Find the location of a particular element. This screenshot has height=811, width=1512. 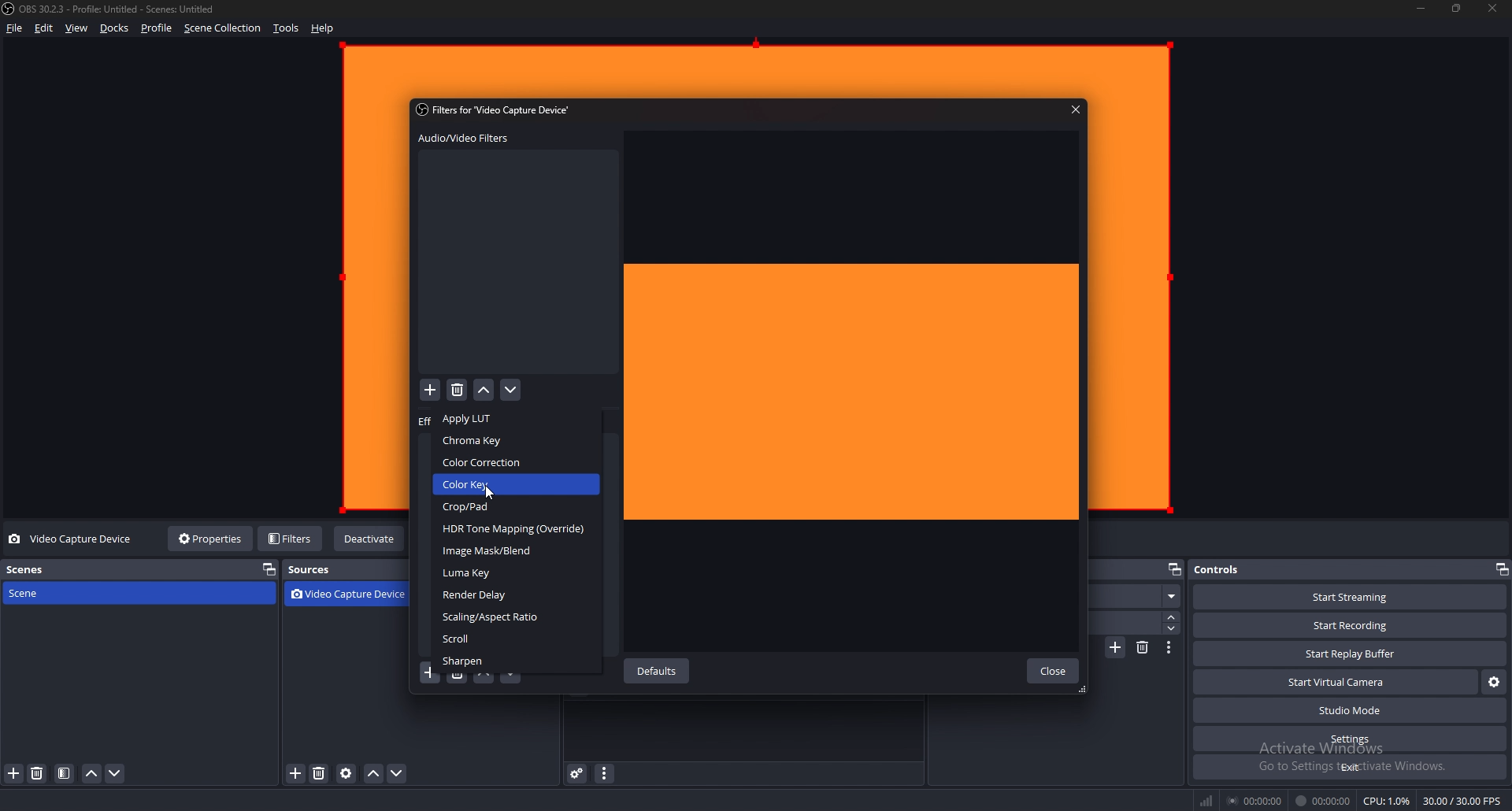

apply lut is located at coordinates (517, 418).